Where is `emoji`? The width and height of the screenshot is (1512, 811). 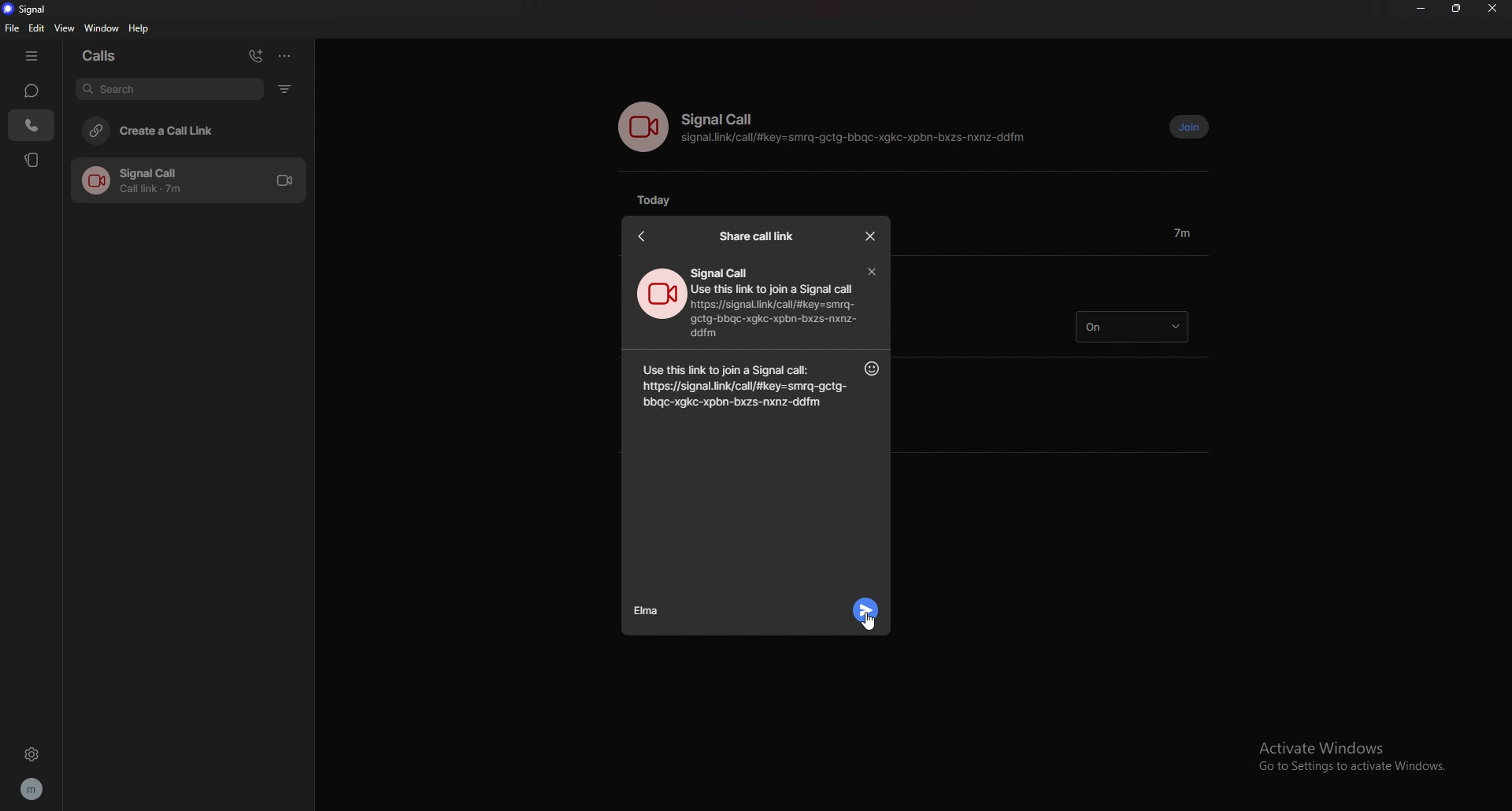 emoji is located at coordinates (871, 369).